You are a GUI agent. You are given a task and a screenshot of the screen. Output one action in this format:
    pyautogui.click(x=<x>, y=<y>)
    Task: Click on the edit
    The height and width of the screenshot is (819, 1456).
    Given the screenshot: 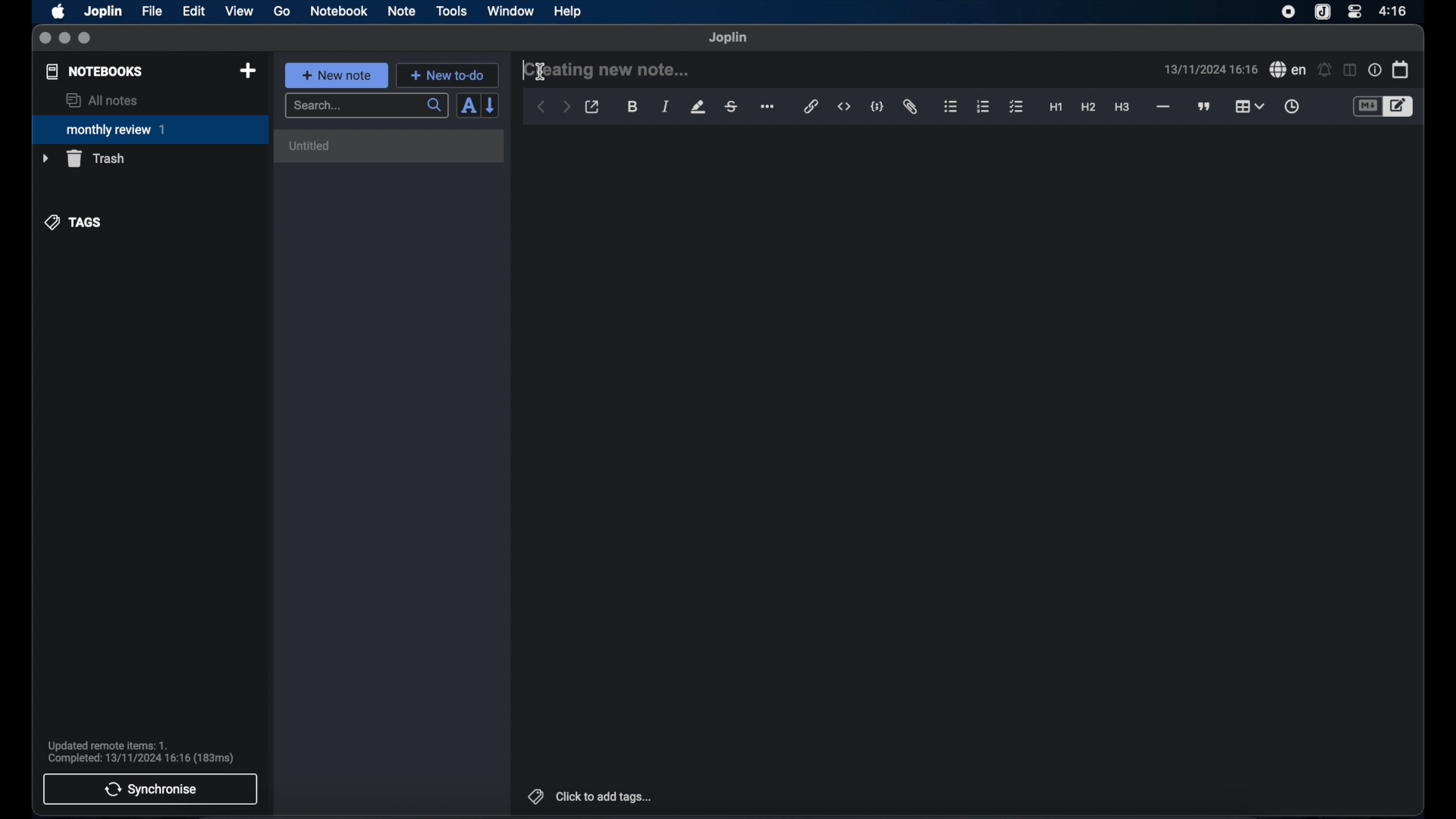 What is the action you would take?
    pyautogui.click(x=195, y=11)
    